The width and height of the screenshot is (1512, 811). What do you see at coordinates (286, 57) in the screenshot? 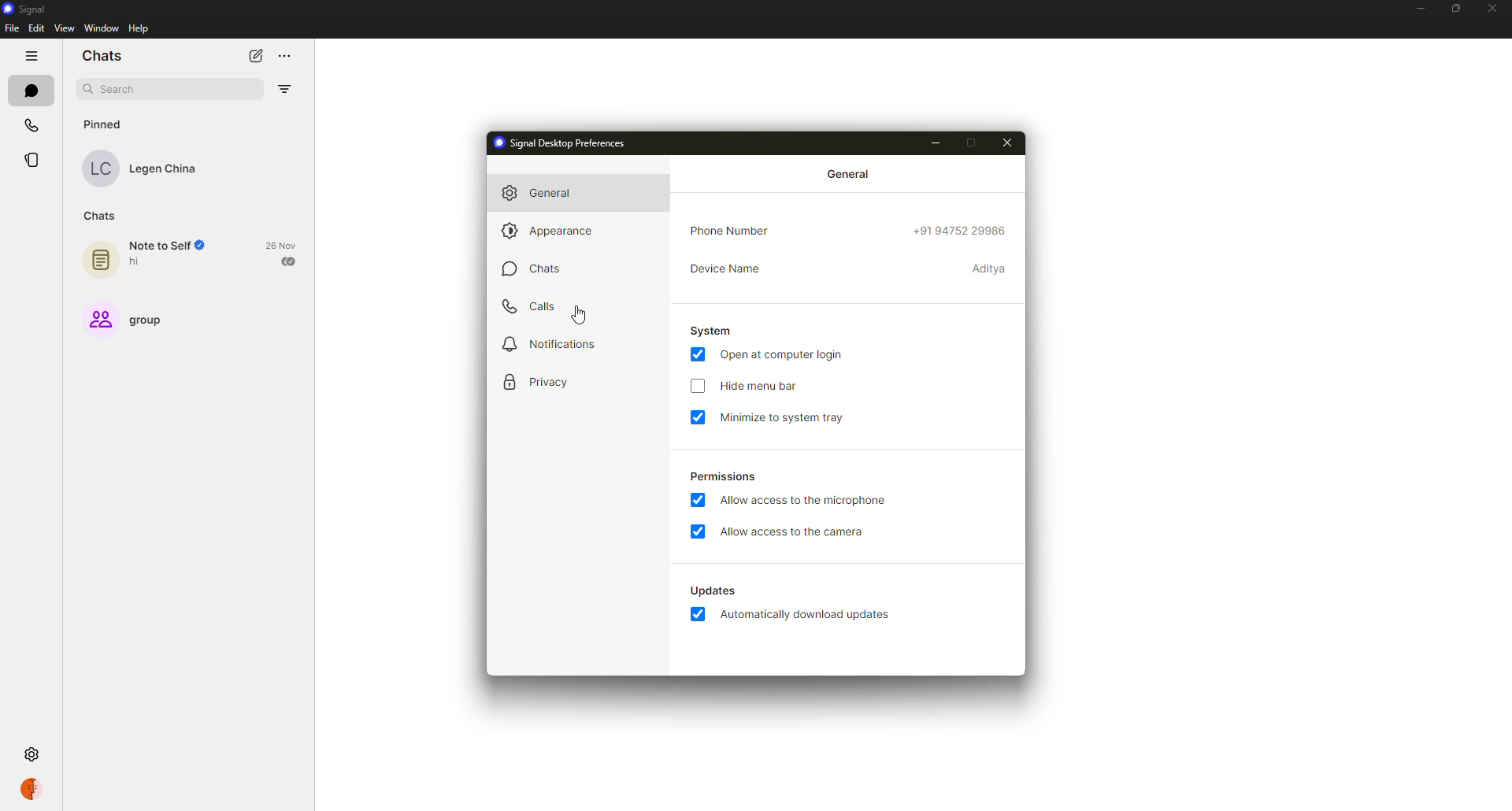
I see `more` at bounding box center [286, 57].